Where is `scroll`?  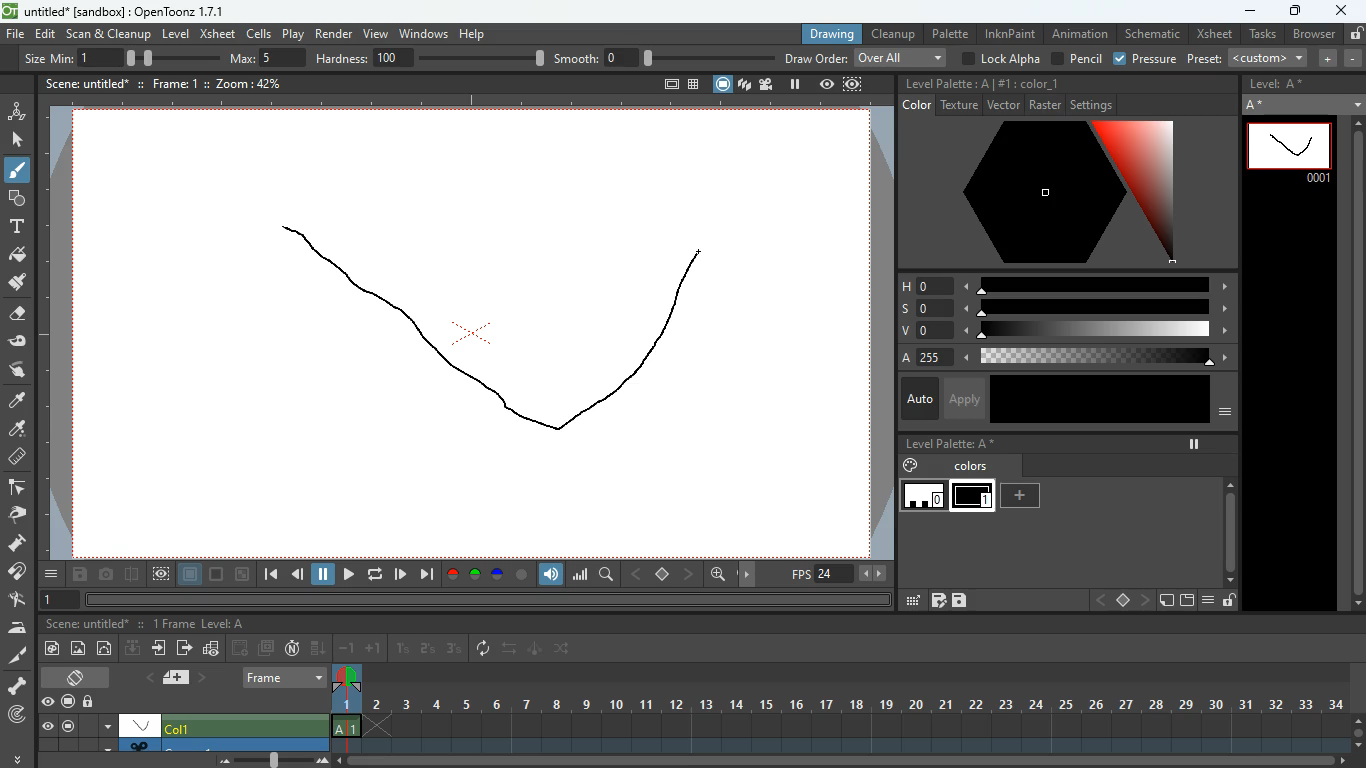 scroll is located at coordinates (850, 762).